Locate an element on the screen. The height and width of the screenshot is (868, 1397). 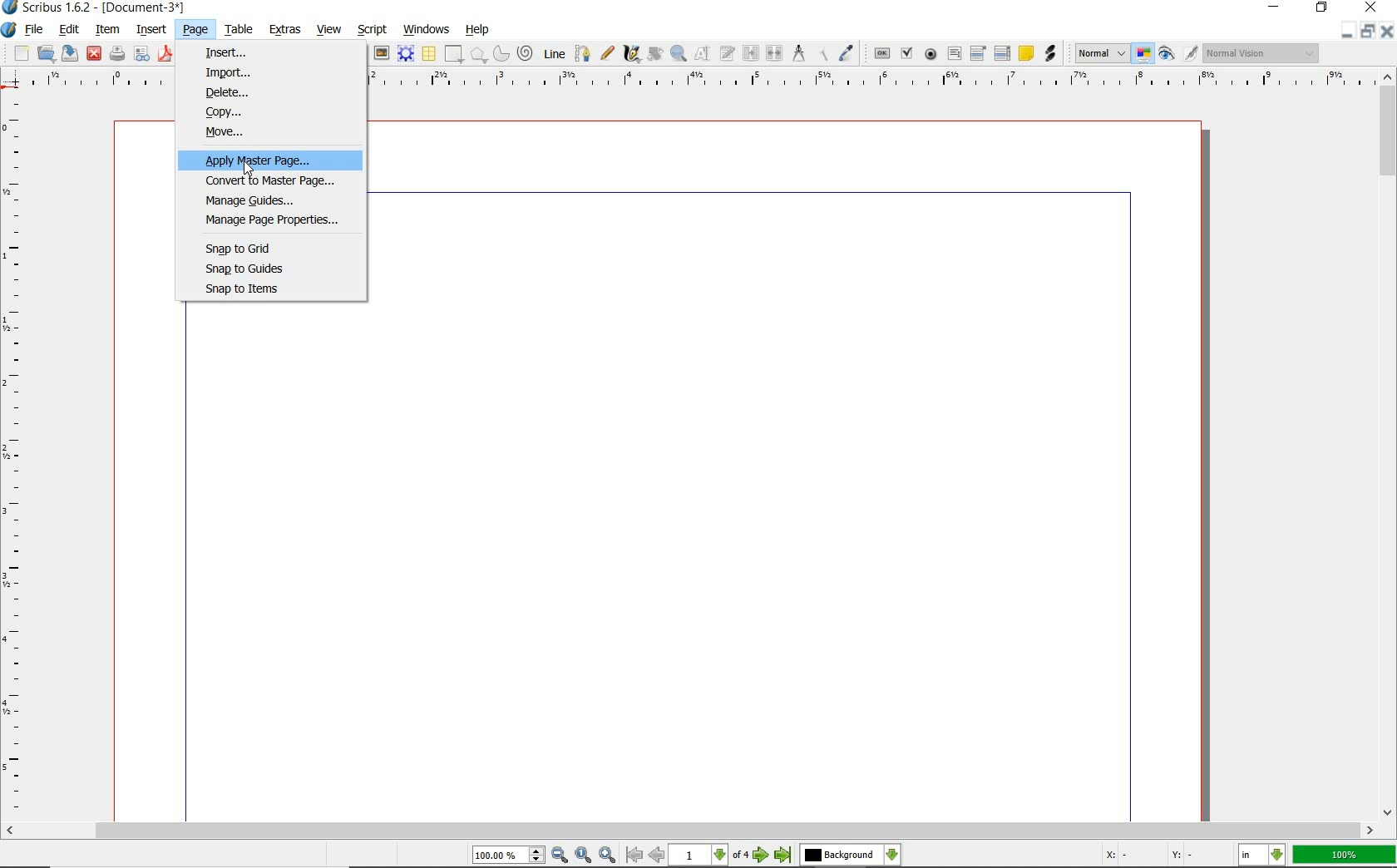
delete is located at coordinates (239, 91).